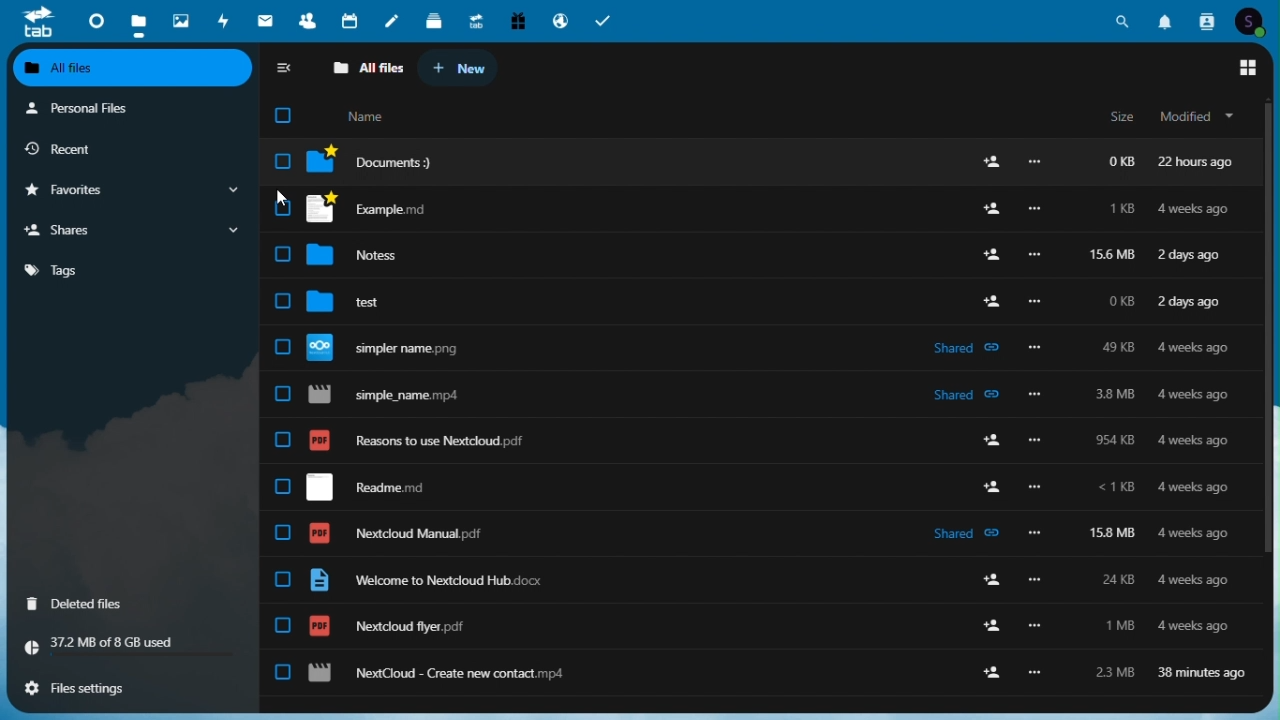 Image resolution: width=1280 pixels, height=720 pixels. I want to click on all files, so click(134, 68).